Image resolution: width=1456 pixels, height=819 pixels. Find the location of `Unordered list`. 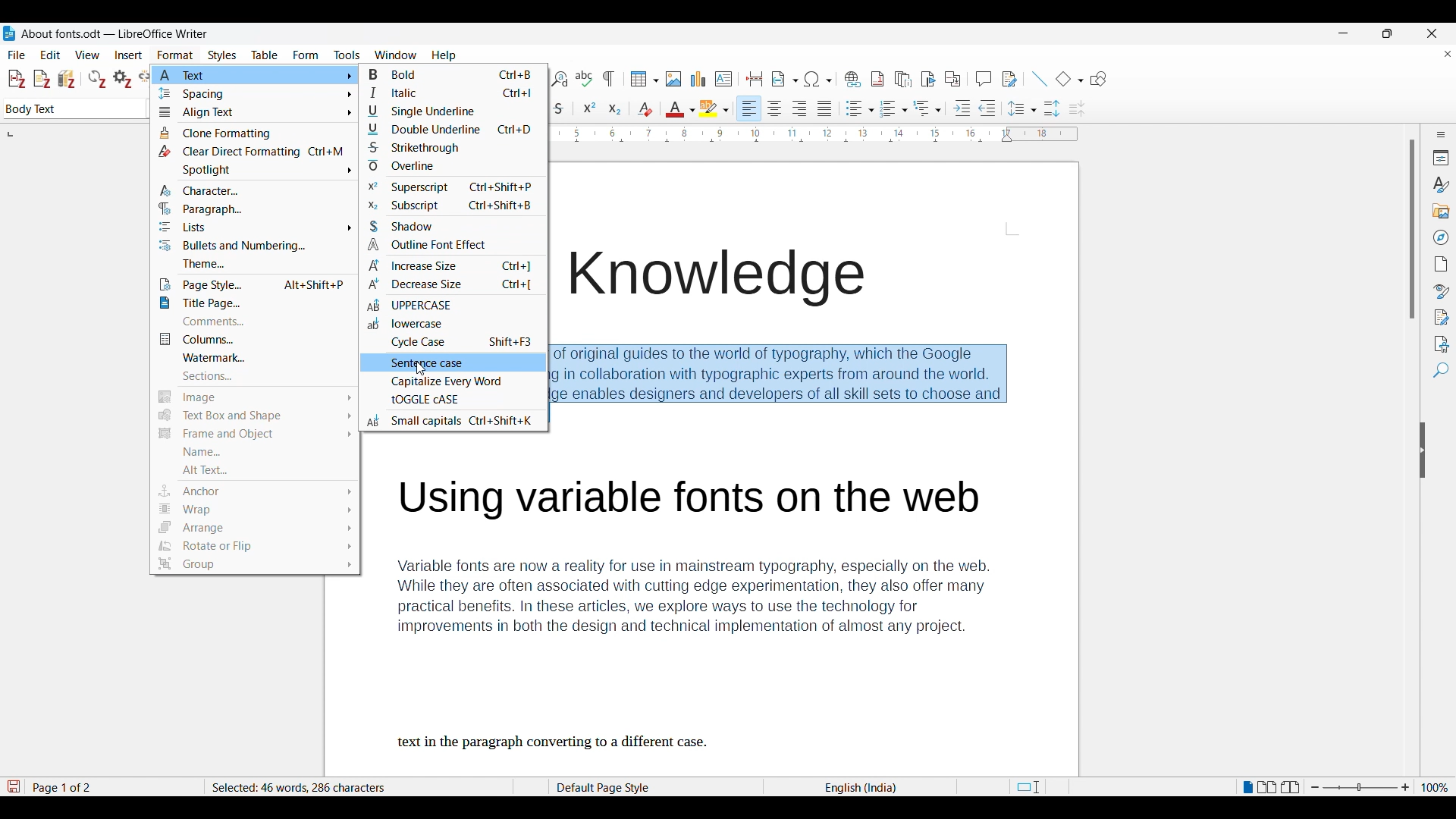

Unordered list is located at coordinates (859, 108).